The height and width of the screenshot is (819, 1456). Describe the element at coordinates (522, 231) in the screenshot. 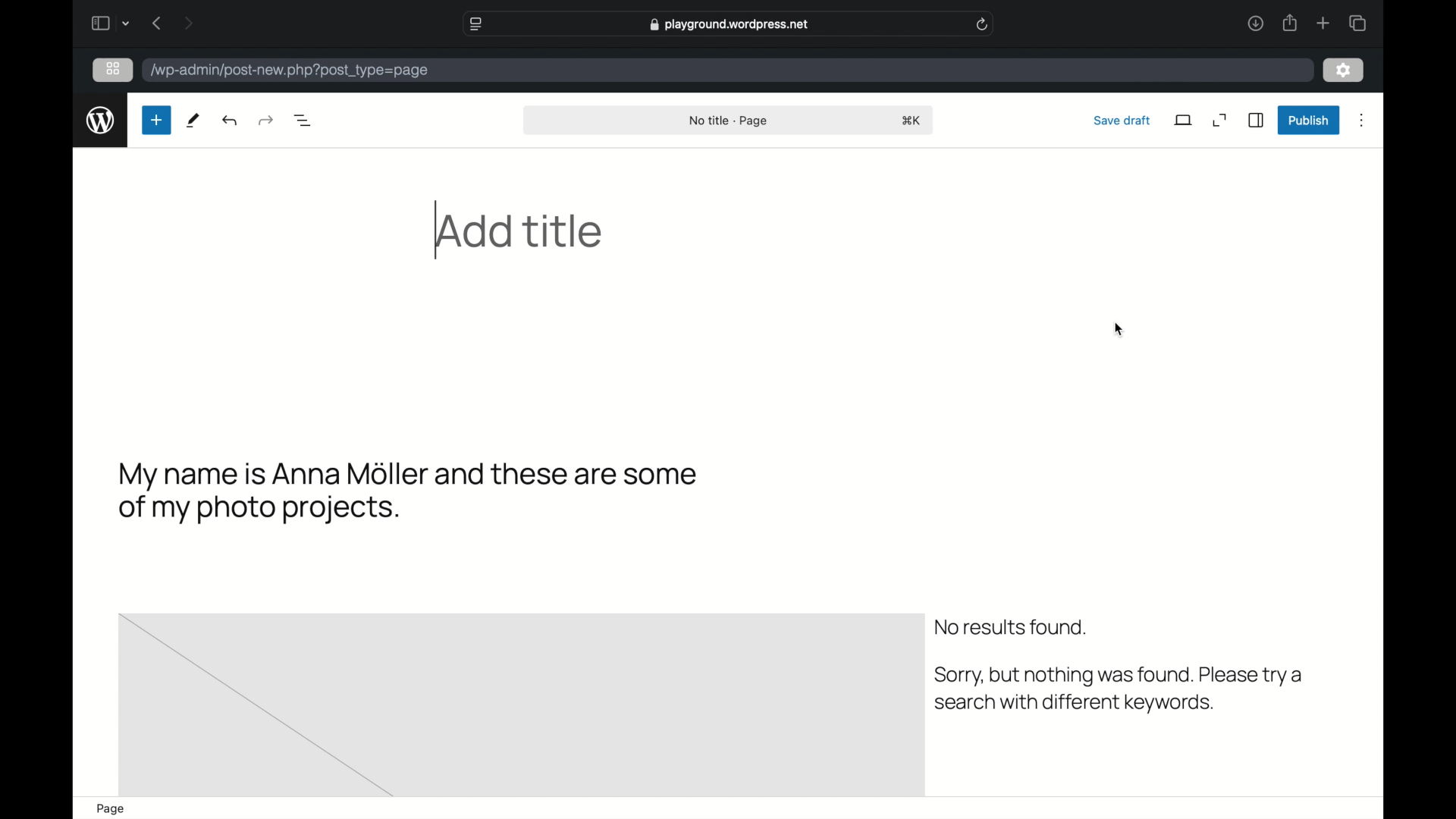

I see `add title` at that location.